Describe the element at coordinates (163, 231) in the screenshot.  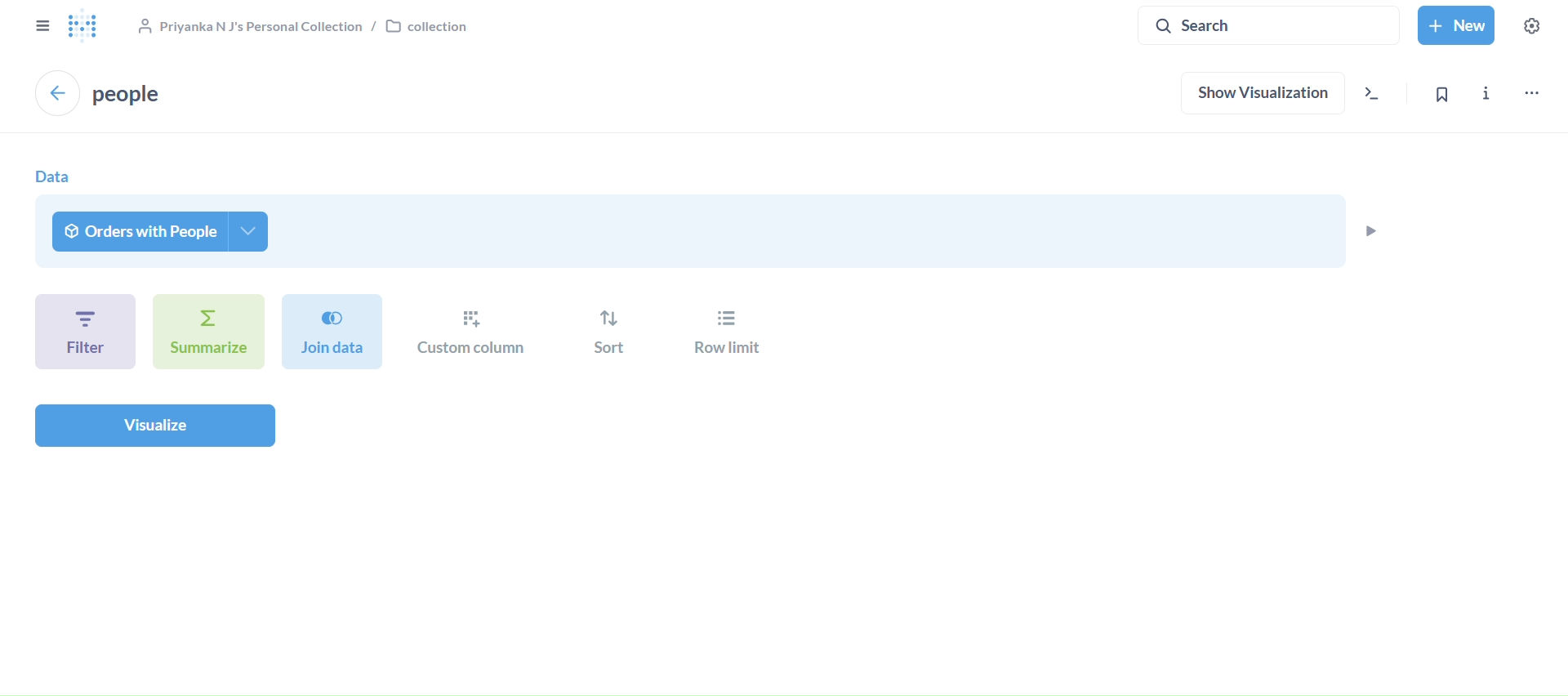
I see `orders with people` at that location.